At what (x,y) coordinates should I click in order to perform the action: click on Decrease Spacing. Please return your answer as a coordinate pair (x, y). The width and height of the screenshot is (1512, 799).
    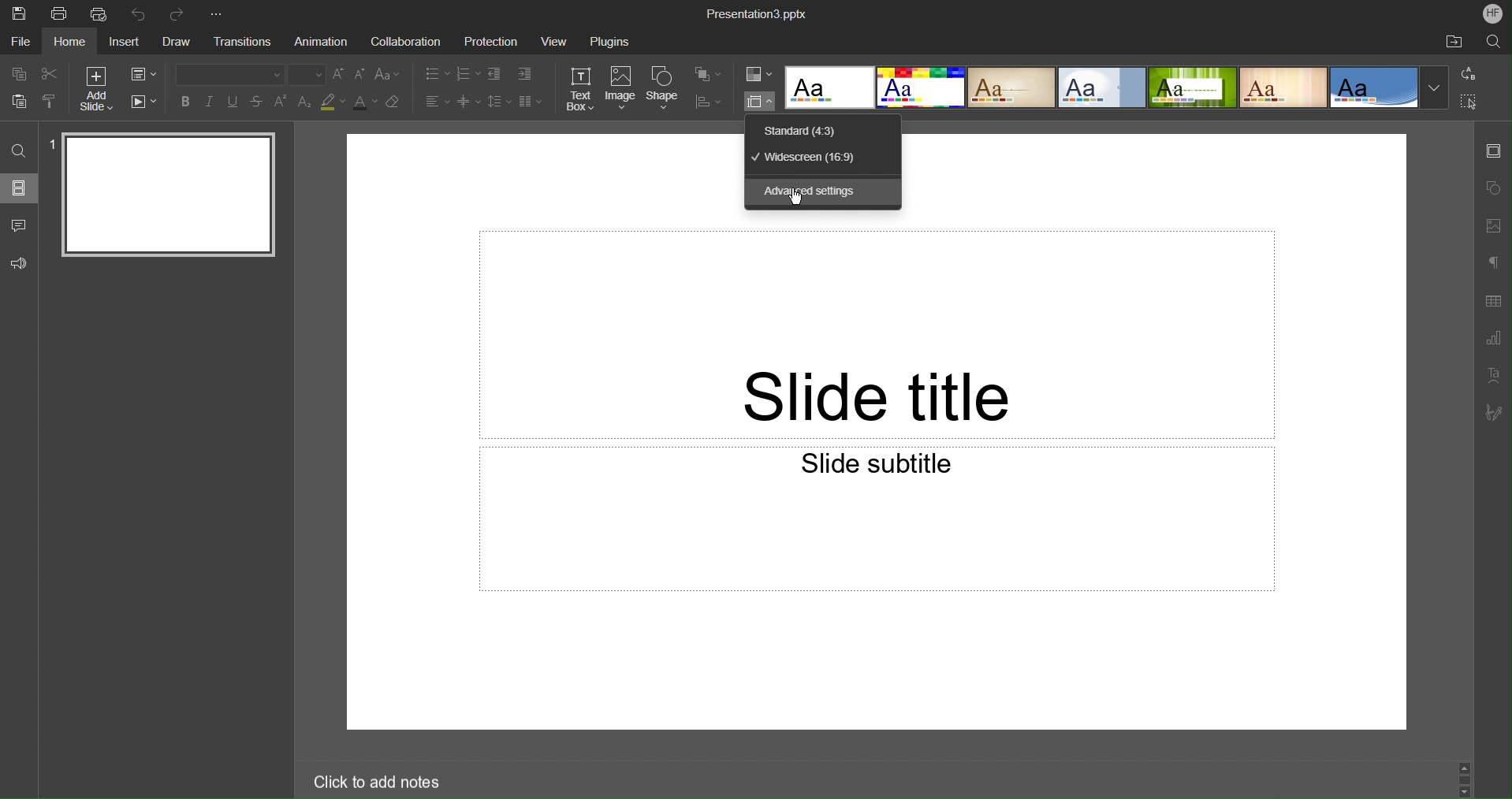
    Looking at the image, I should click on (467, 102).